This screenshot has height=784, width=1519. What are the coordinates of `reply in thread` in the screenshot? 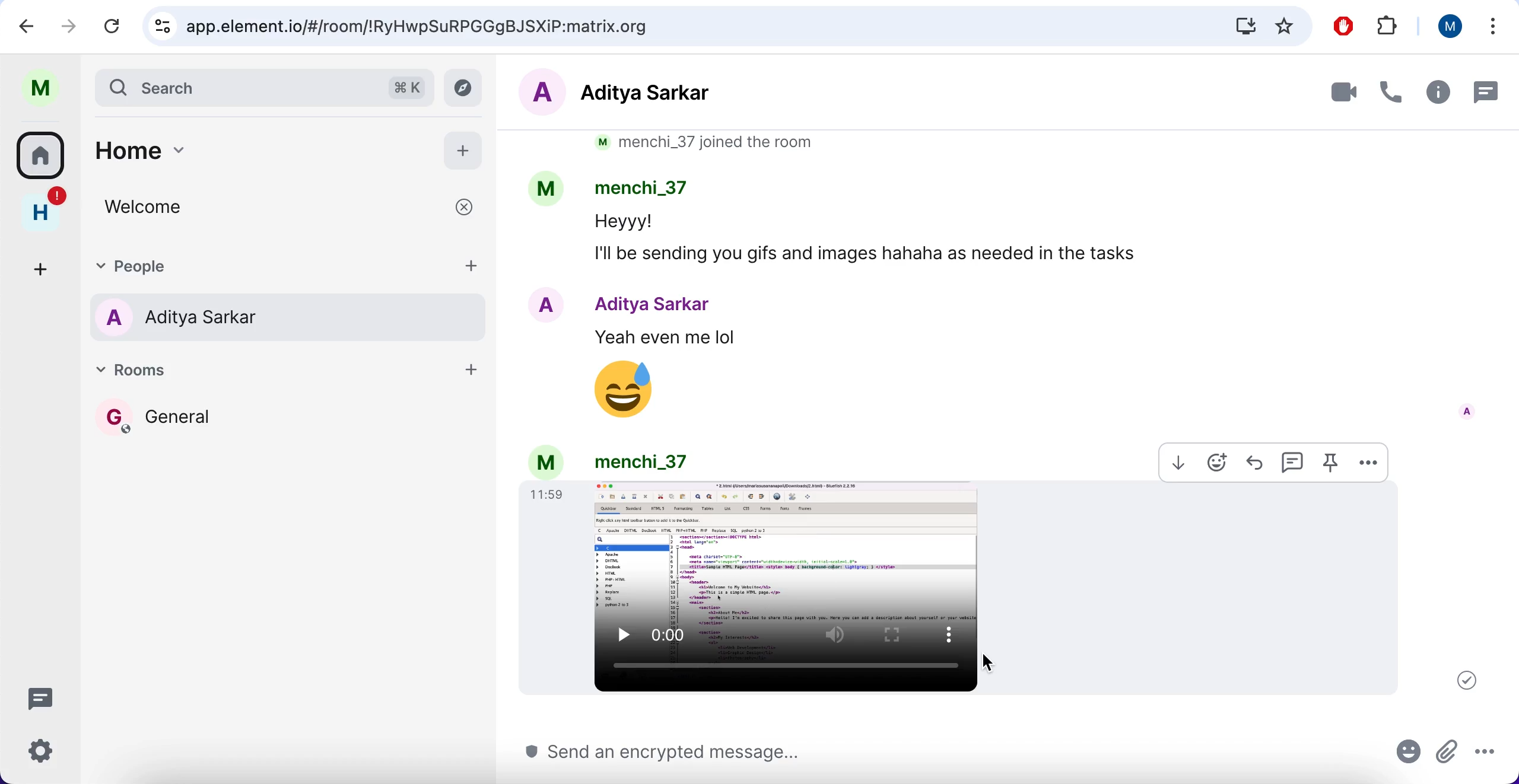 It's located at (1289, 463).